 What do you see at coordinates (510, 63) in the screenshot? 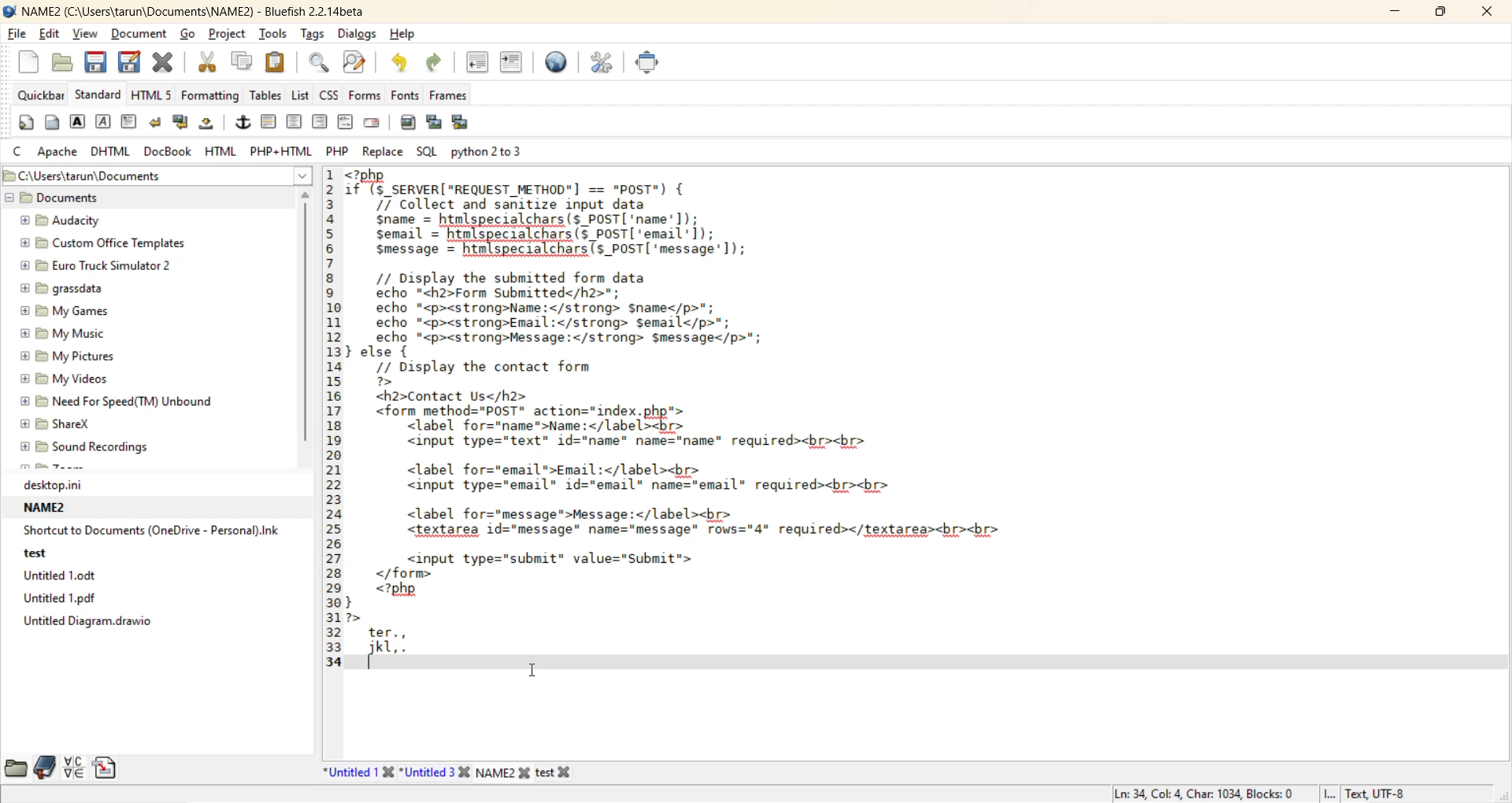
I see `indent` at bounding box center [510, 63].